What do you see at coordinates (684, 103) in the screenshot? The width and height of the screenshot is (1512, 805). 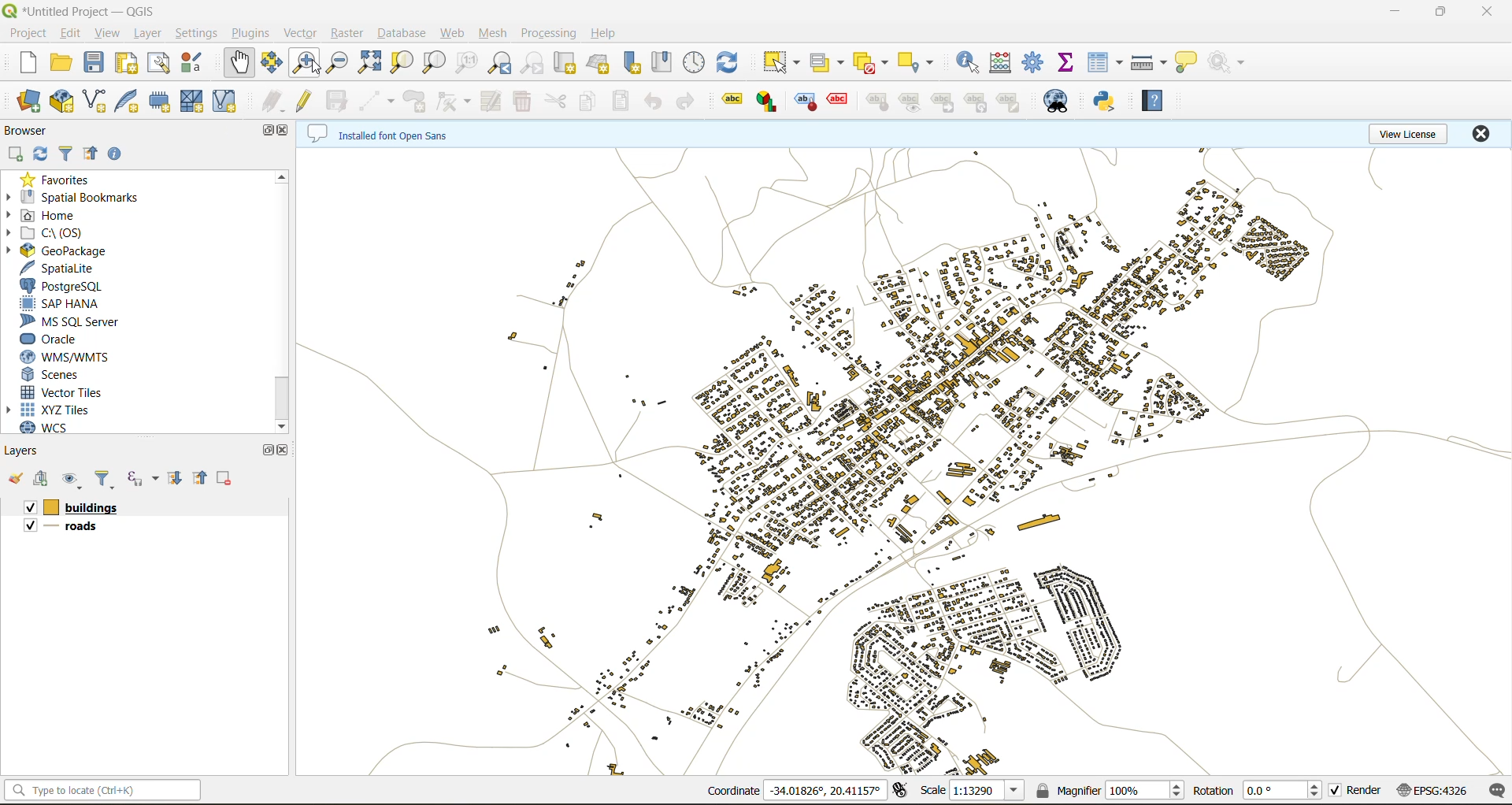 I see `redo` at bounding box center [684, 103].